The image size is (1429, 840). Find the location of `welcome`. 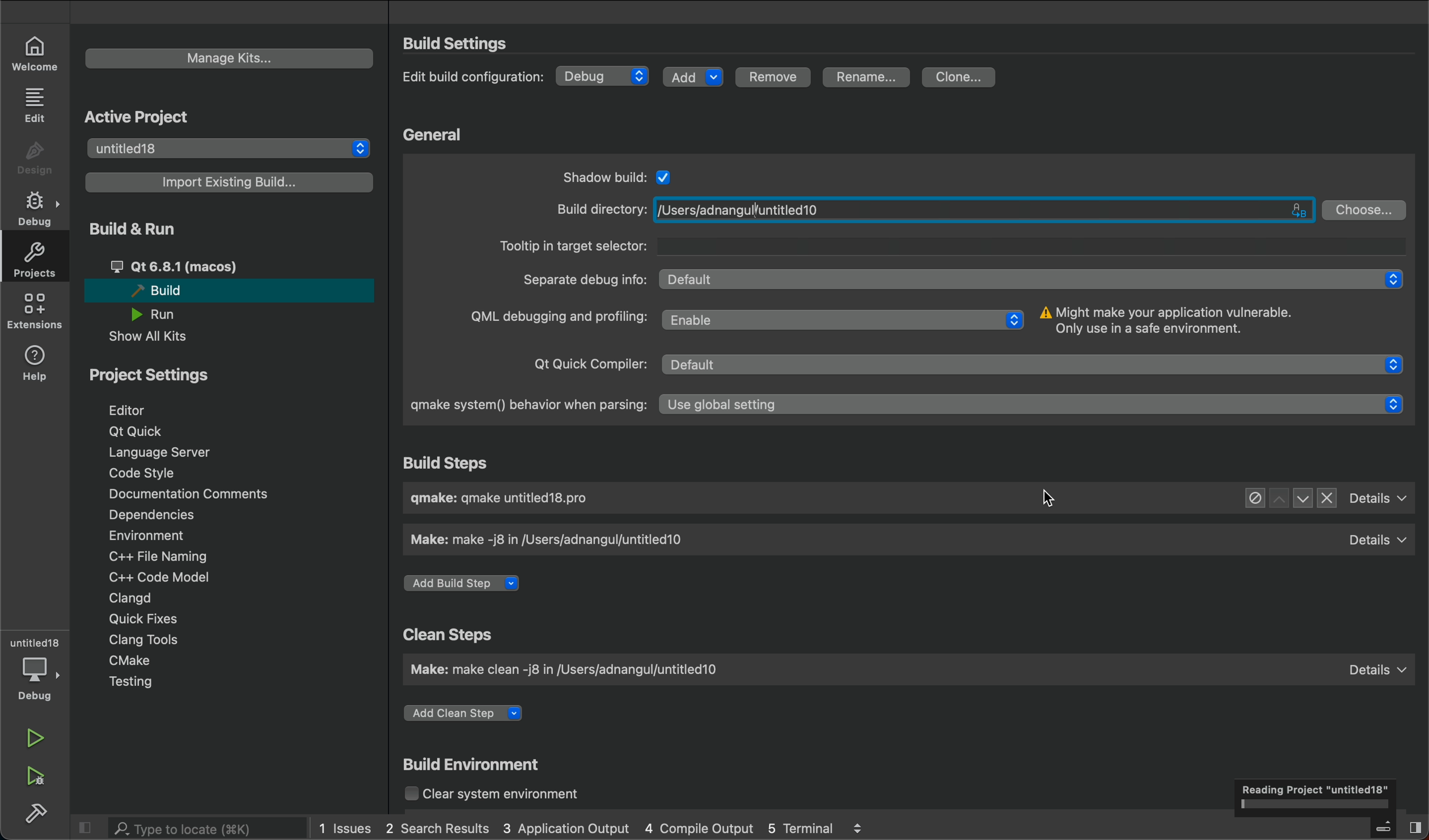

welcome is located at coordinates (35, 50).